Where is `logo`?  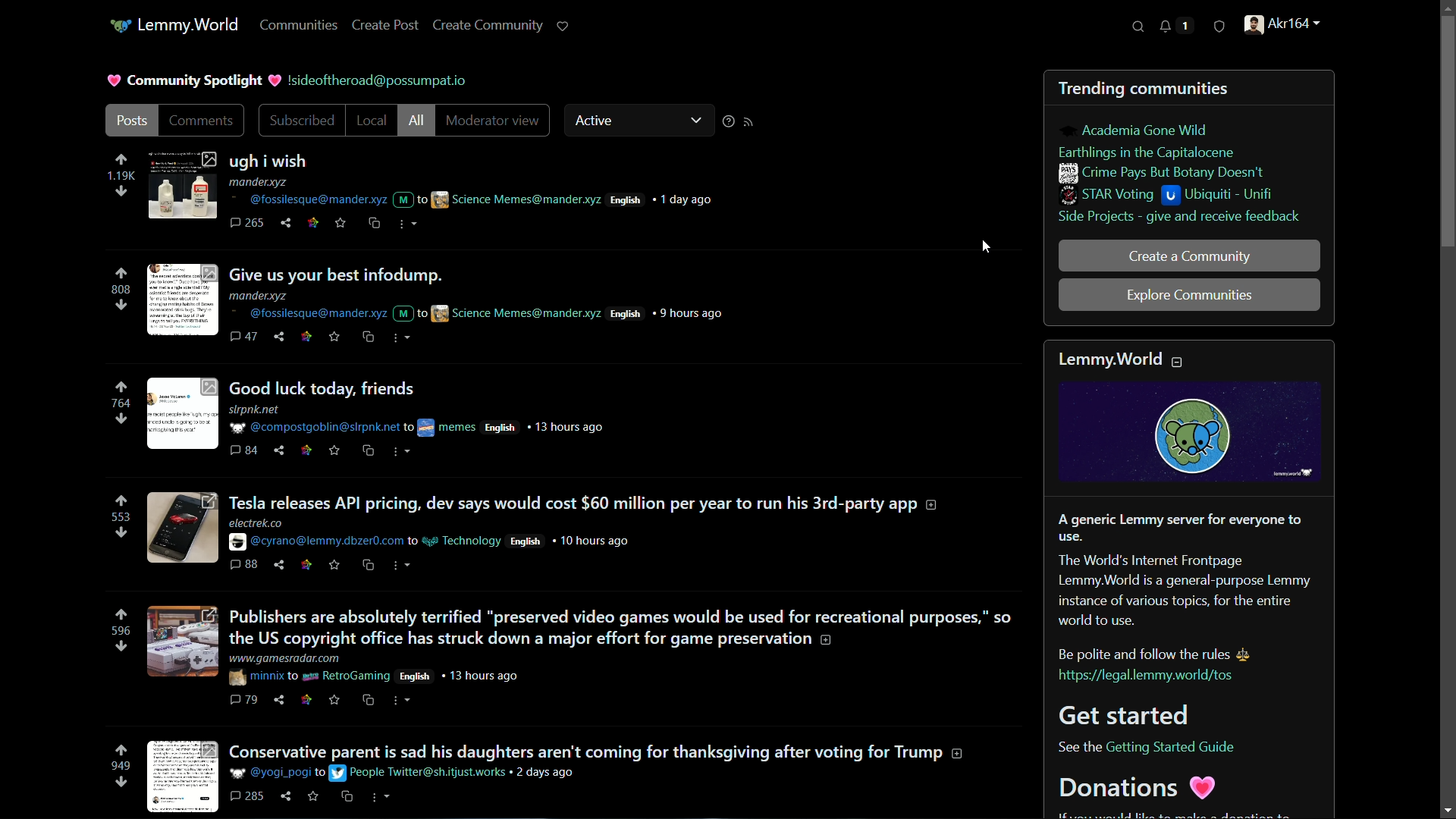 logo is located at coordinates (1191, 432).